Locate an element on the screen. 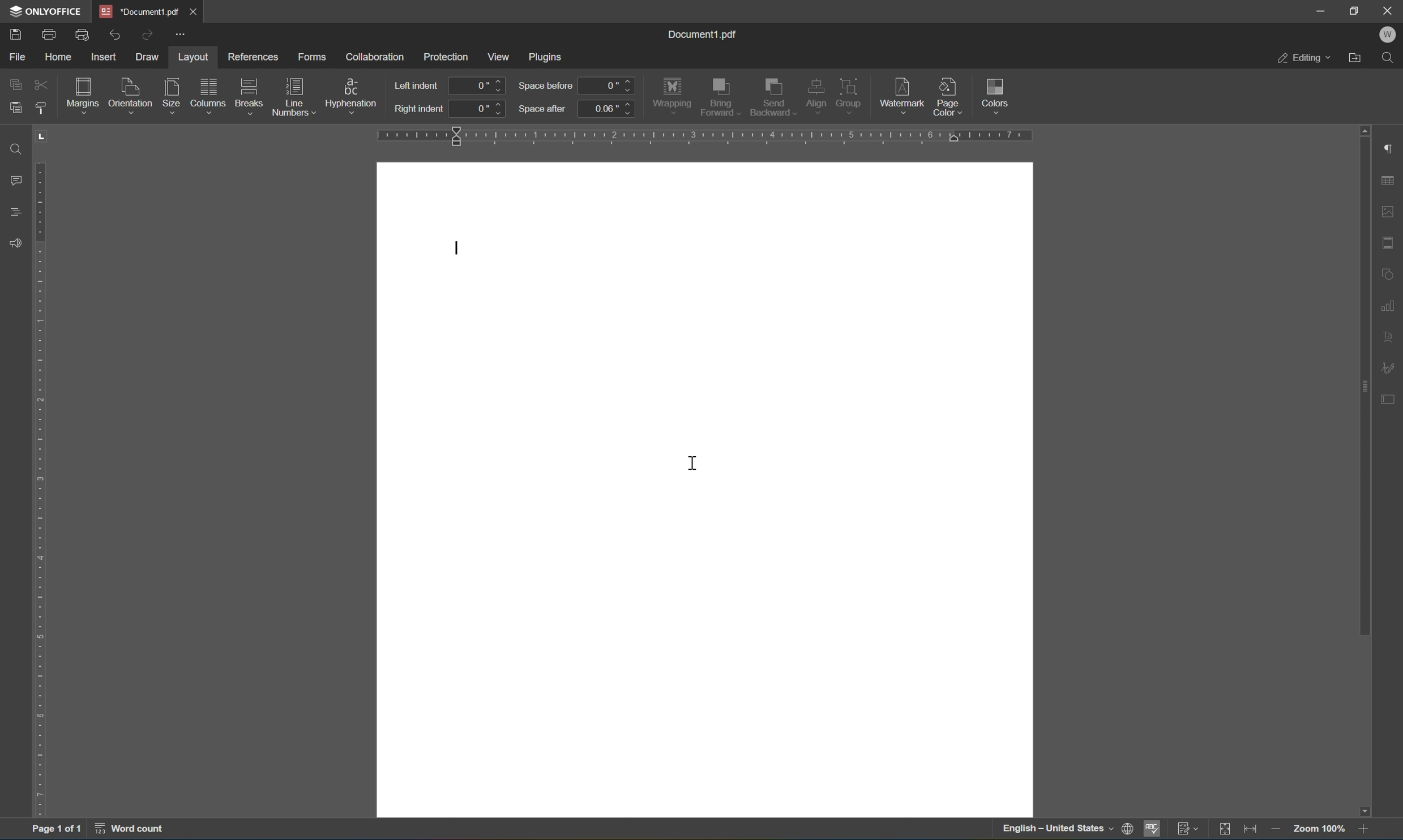  editing is located at coordinates (1303, 59).